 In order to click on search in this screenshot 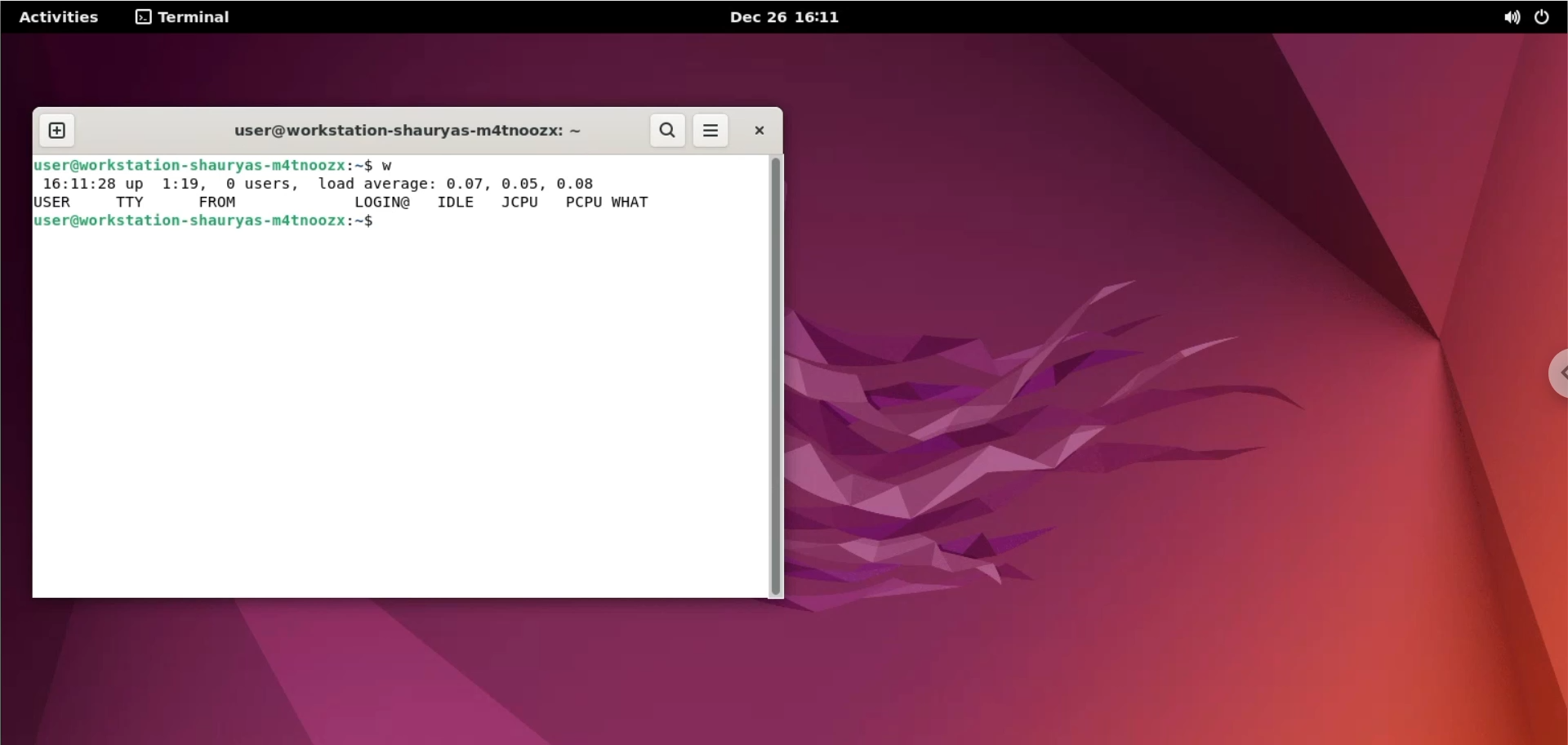, I will do `click(666, 131)`.